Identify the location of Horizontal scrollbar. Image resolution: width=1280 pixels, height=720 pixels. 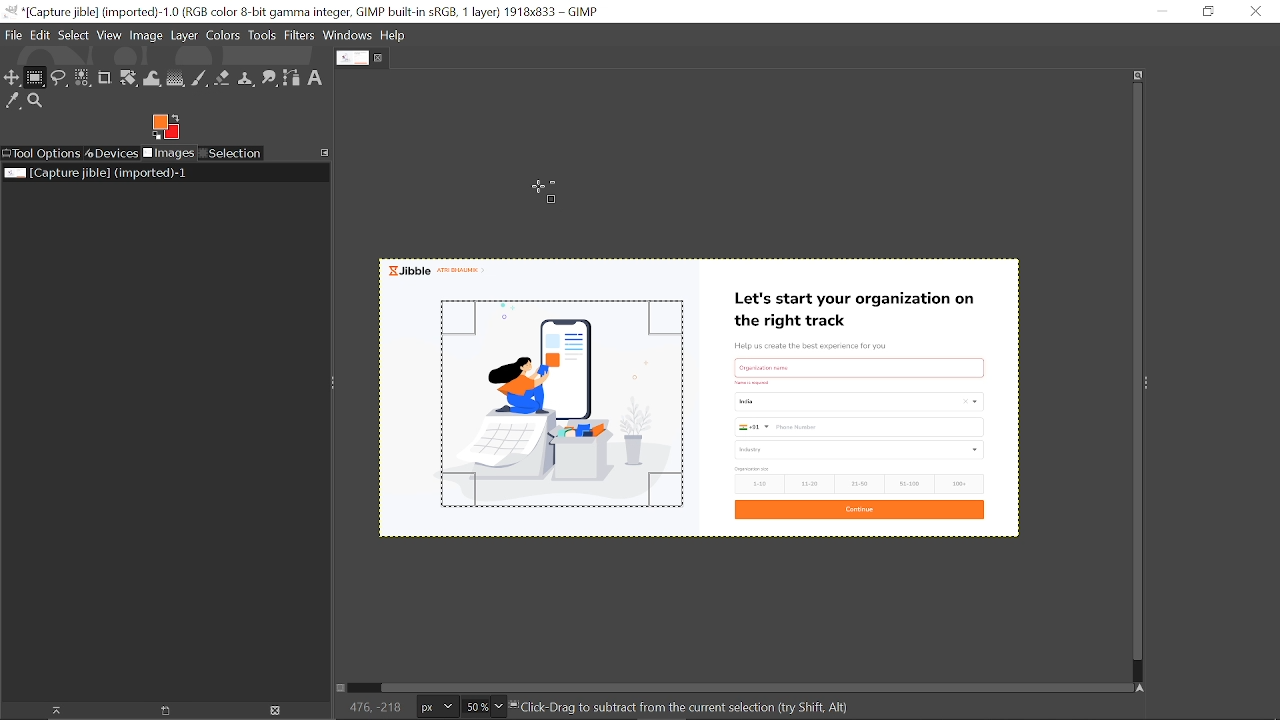
(745, 686).